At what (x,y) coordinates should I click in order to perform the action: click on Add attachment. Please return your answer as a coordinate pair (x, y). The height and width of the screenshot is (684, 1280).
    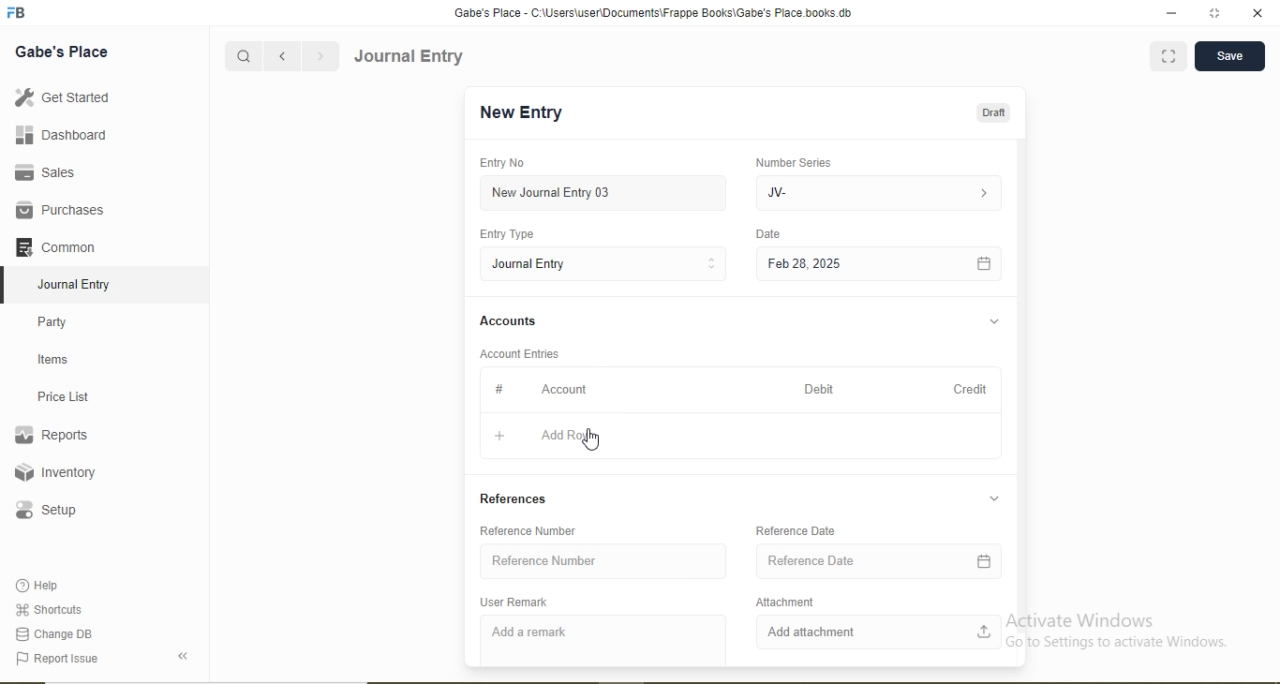
    Looking at the image, I should click on (811, 632).